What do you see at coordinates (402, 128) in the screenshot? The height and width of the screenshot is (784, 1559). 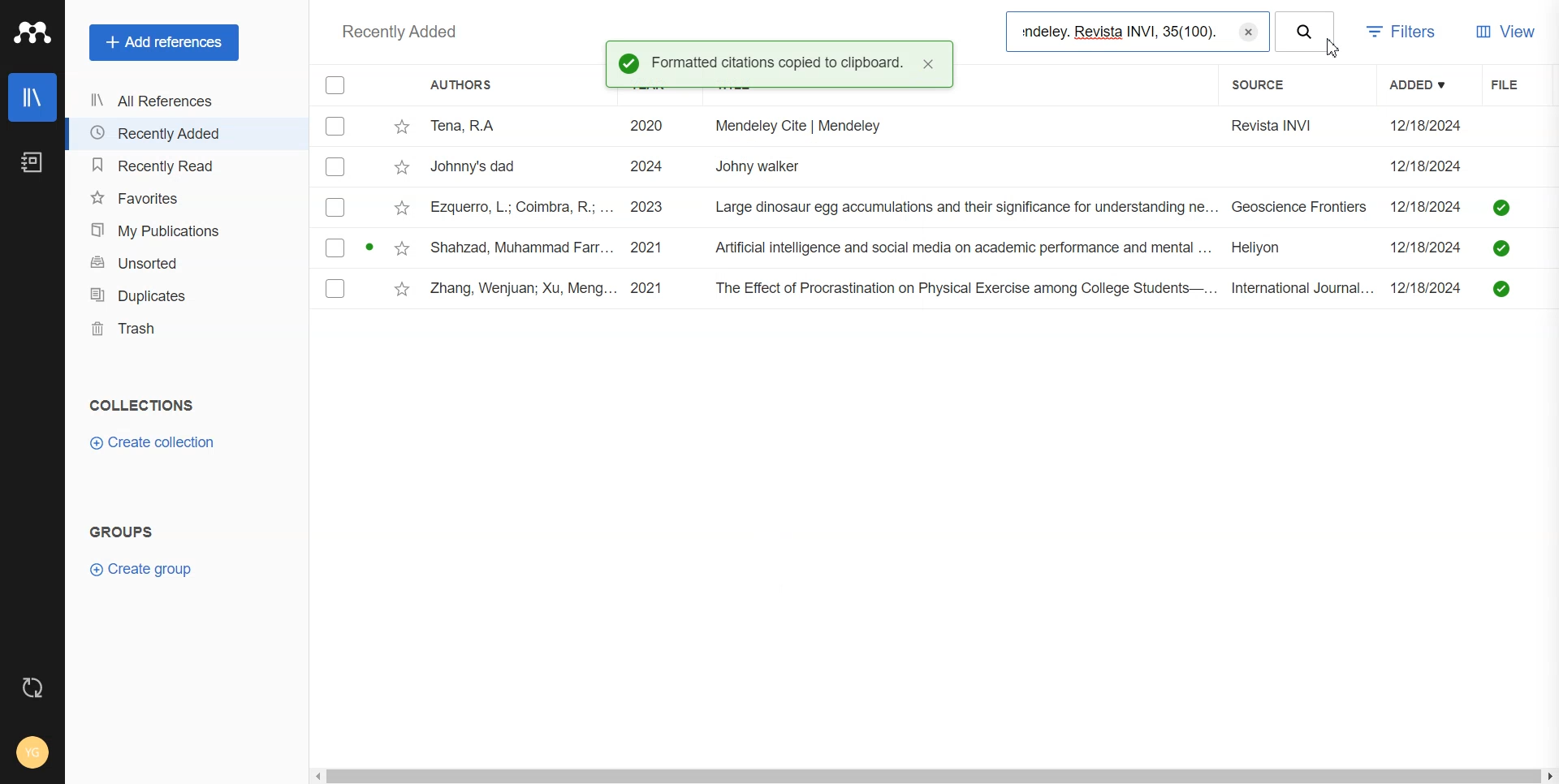 I see `Star` at bounding box center [402, 128].